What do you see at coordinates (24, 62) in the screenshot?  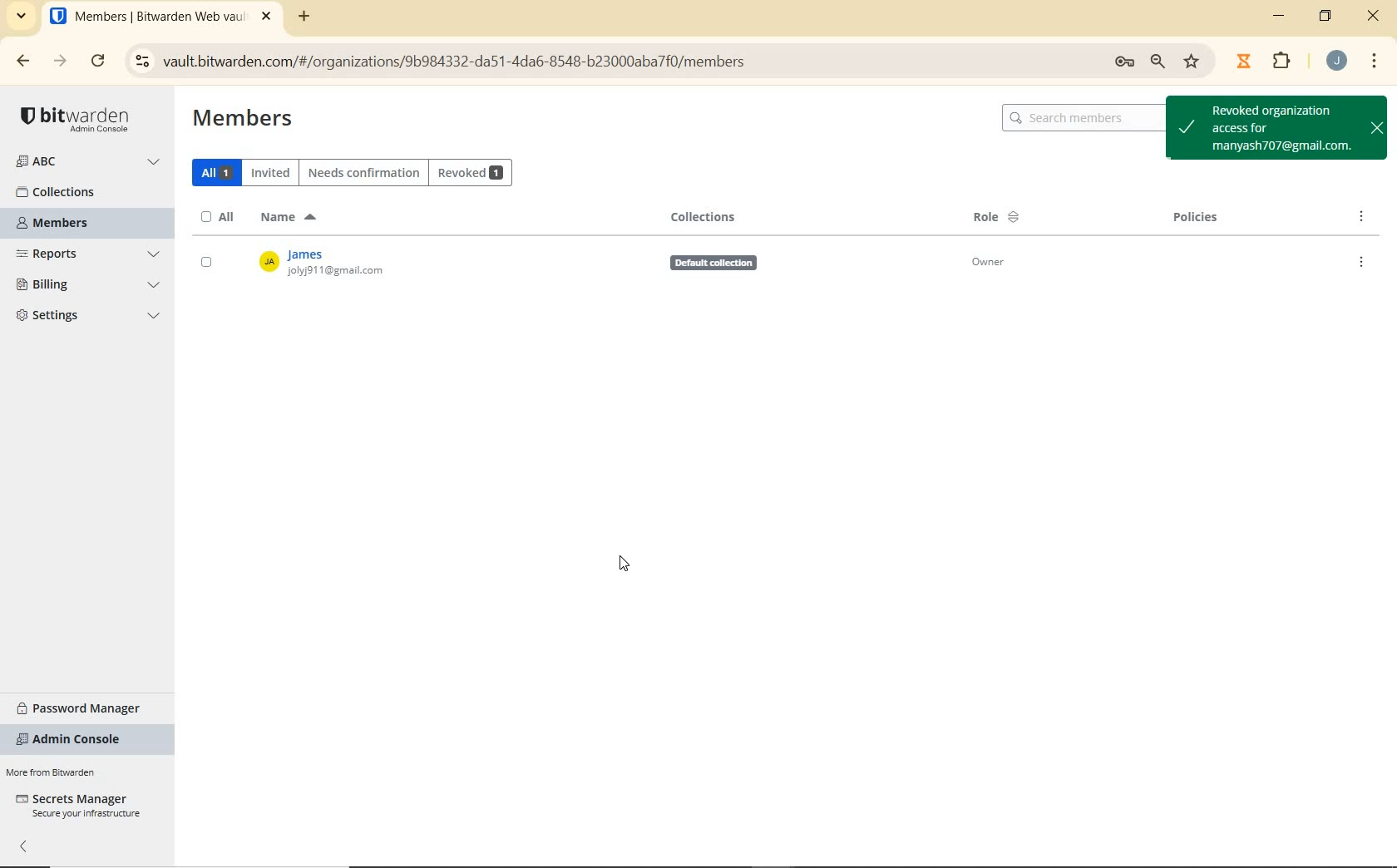 I see `BACK` at bounding box center [24, 62].